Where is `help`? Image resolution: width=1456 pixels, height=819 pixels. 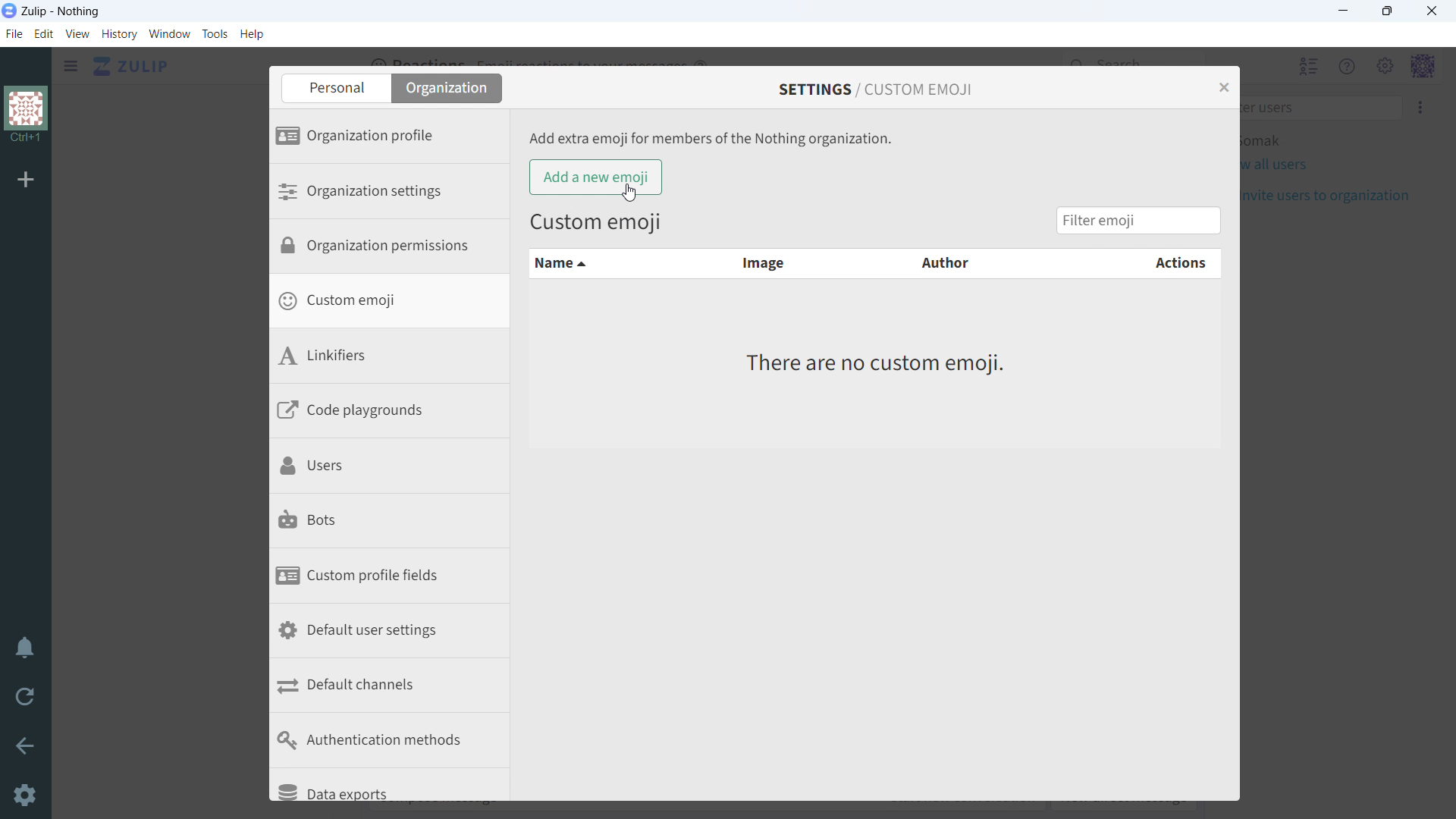 help is located at coordinates (252, 34).